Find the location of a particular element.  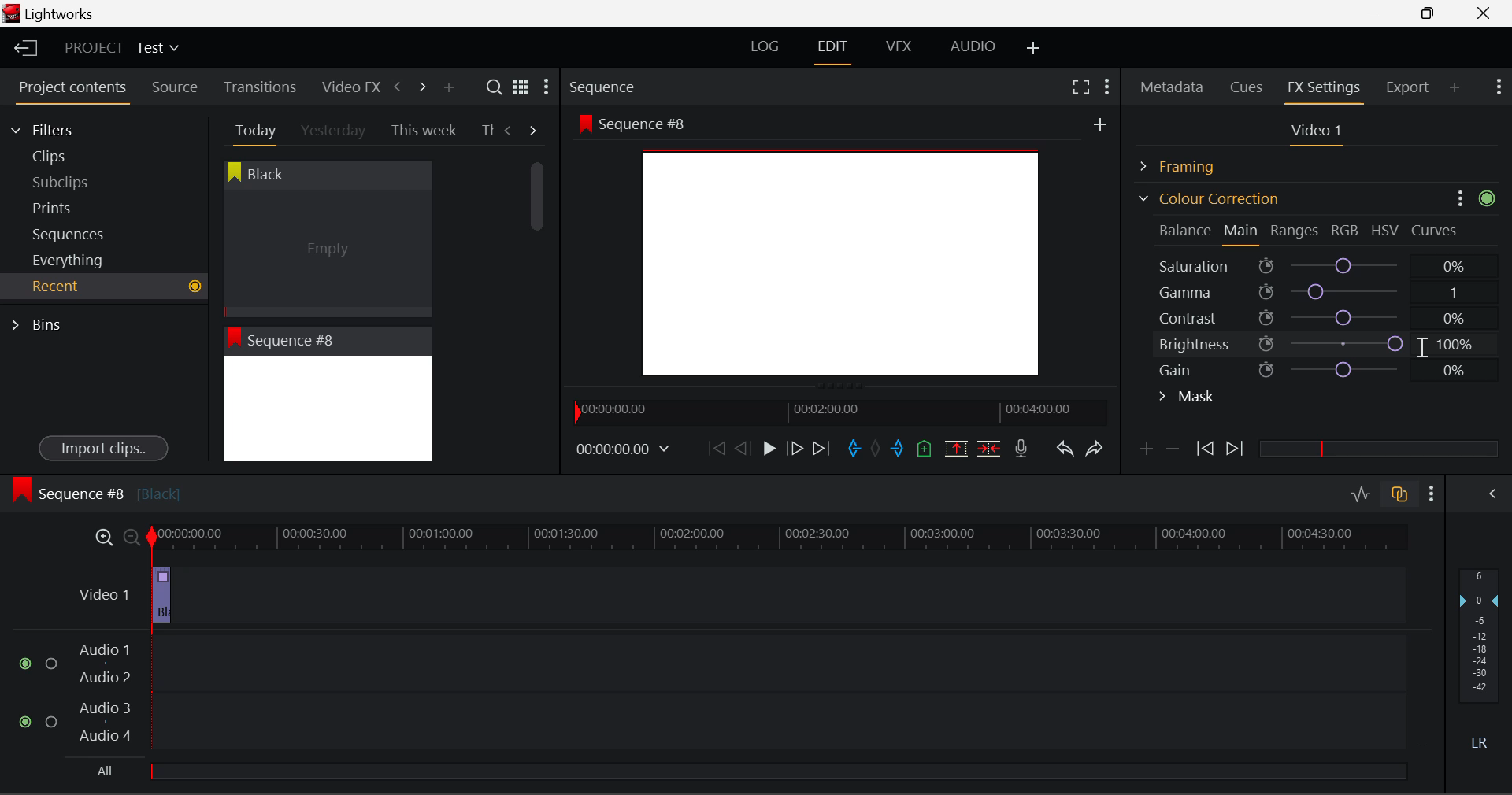

Show Settings is located at coordinates (1106, 84).